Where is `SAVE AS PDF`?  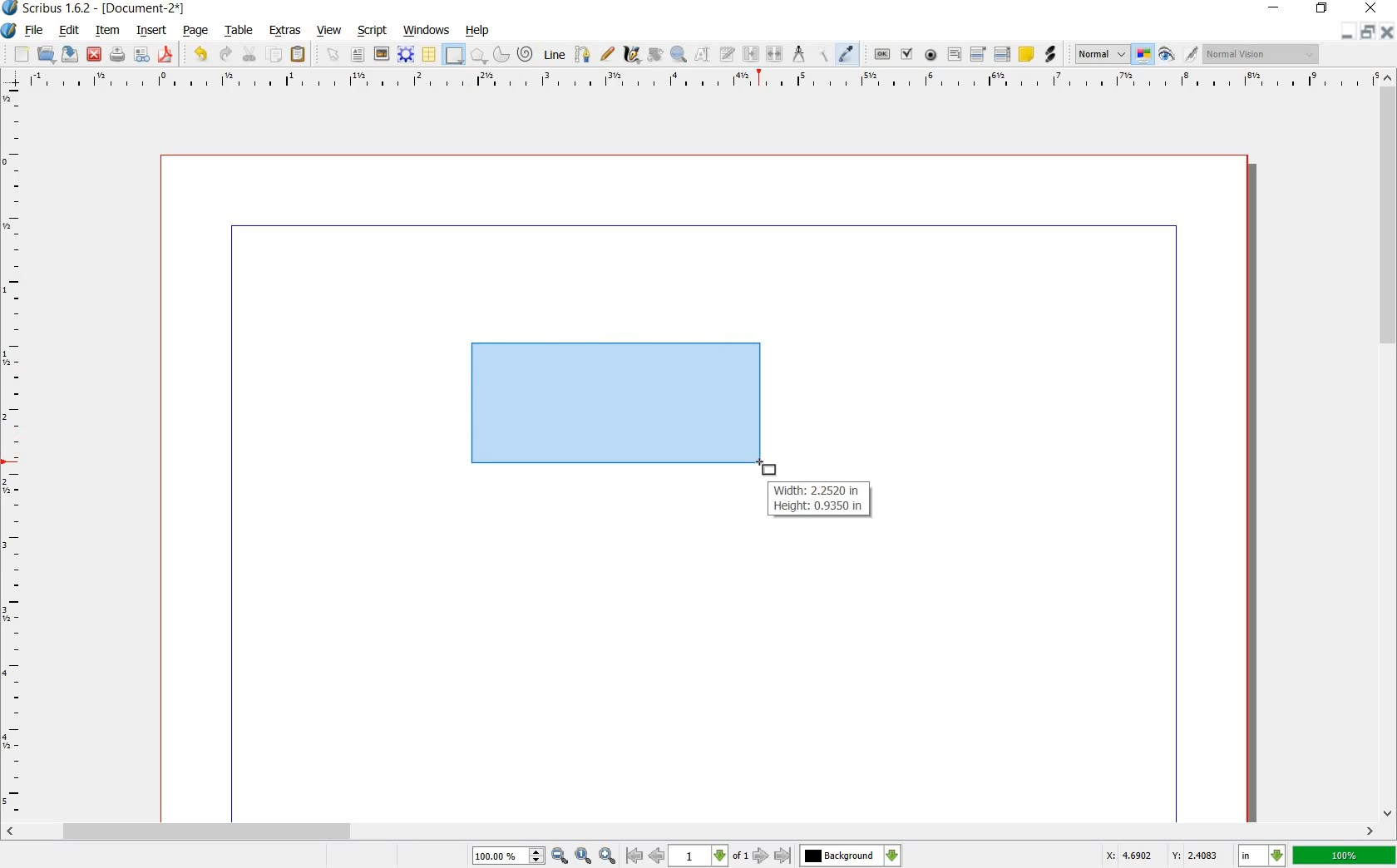
SAVE AS PDF is located at coordinates (168, 55).